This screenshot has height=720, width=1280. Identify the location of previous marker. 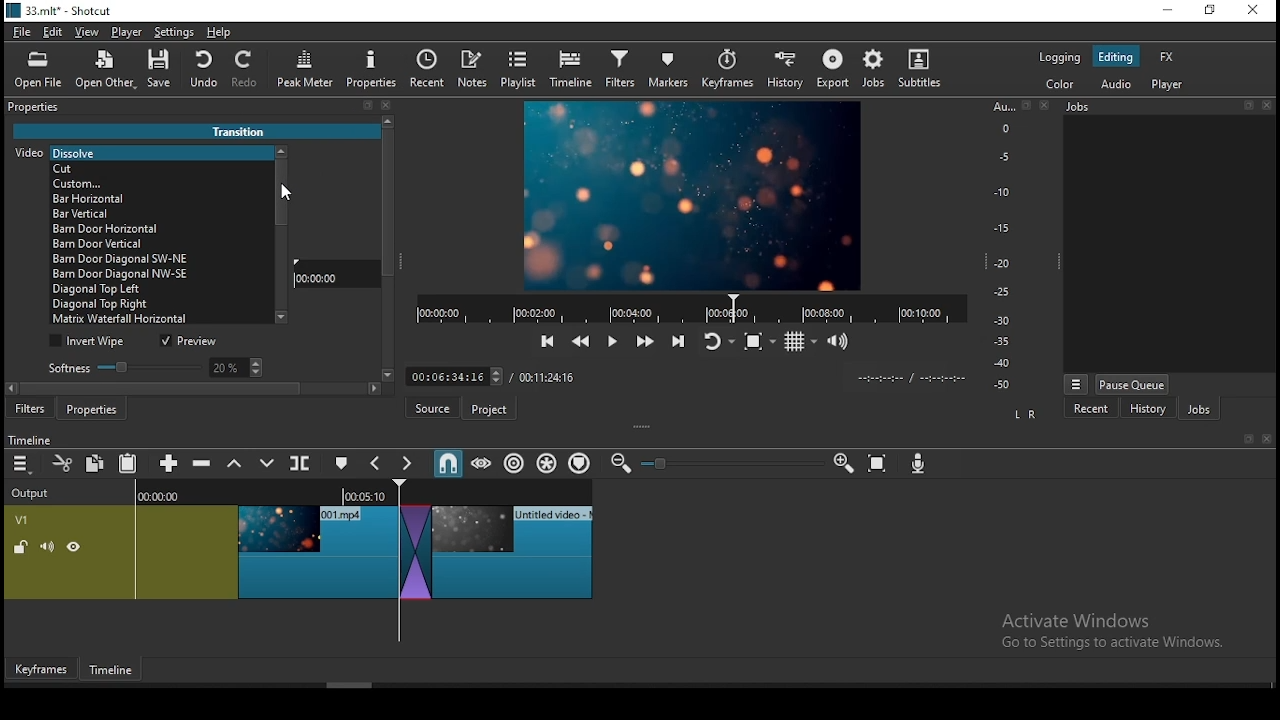
(377, 463).